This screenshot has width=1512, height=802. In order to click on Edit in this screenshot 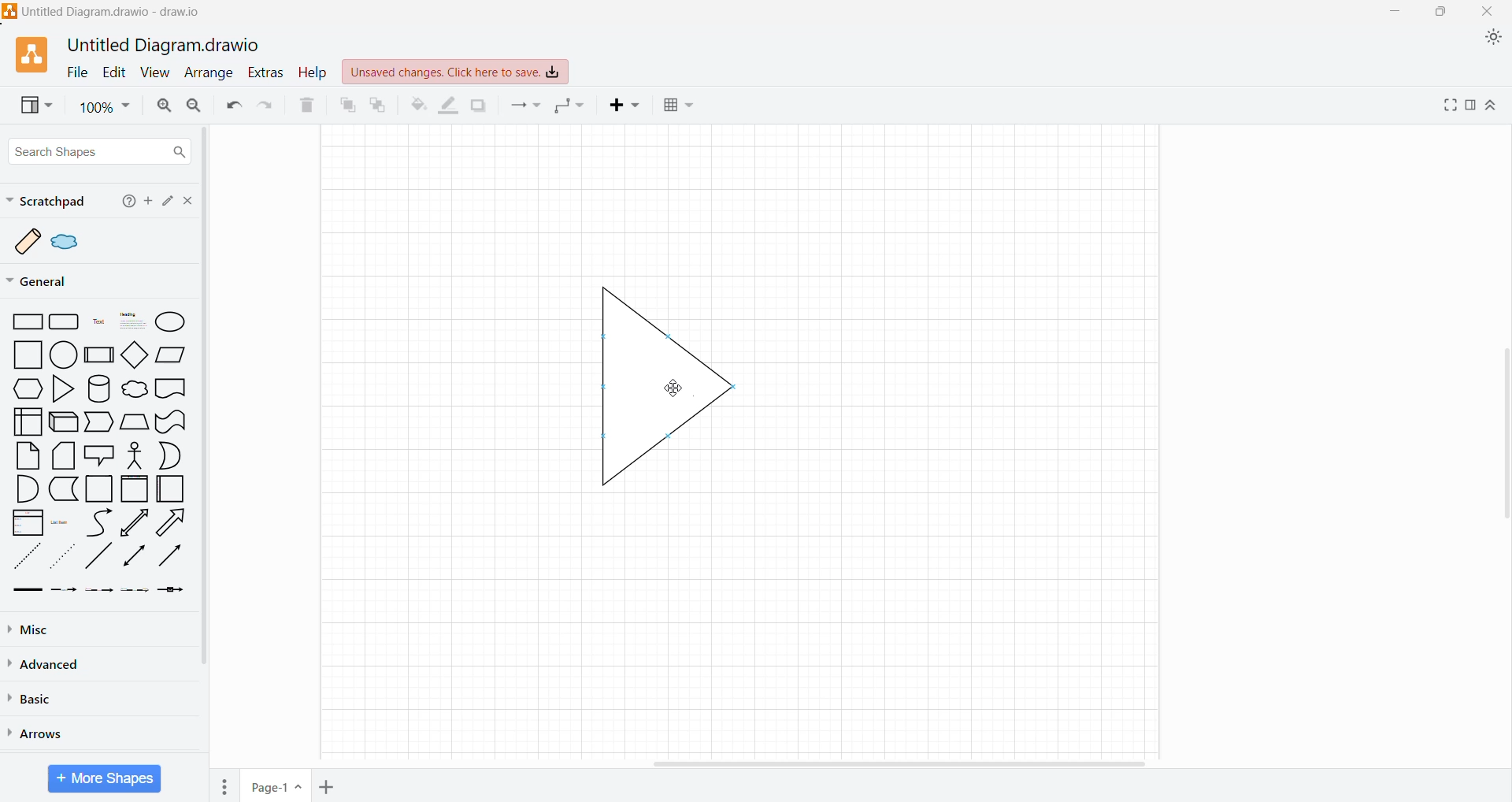, I will do `click(114, 72)`.